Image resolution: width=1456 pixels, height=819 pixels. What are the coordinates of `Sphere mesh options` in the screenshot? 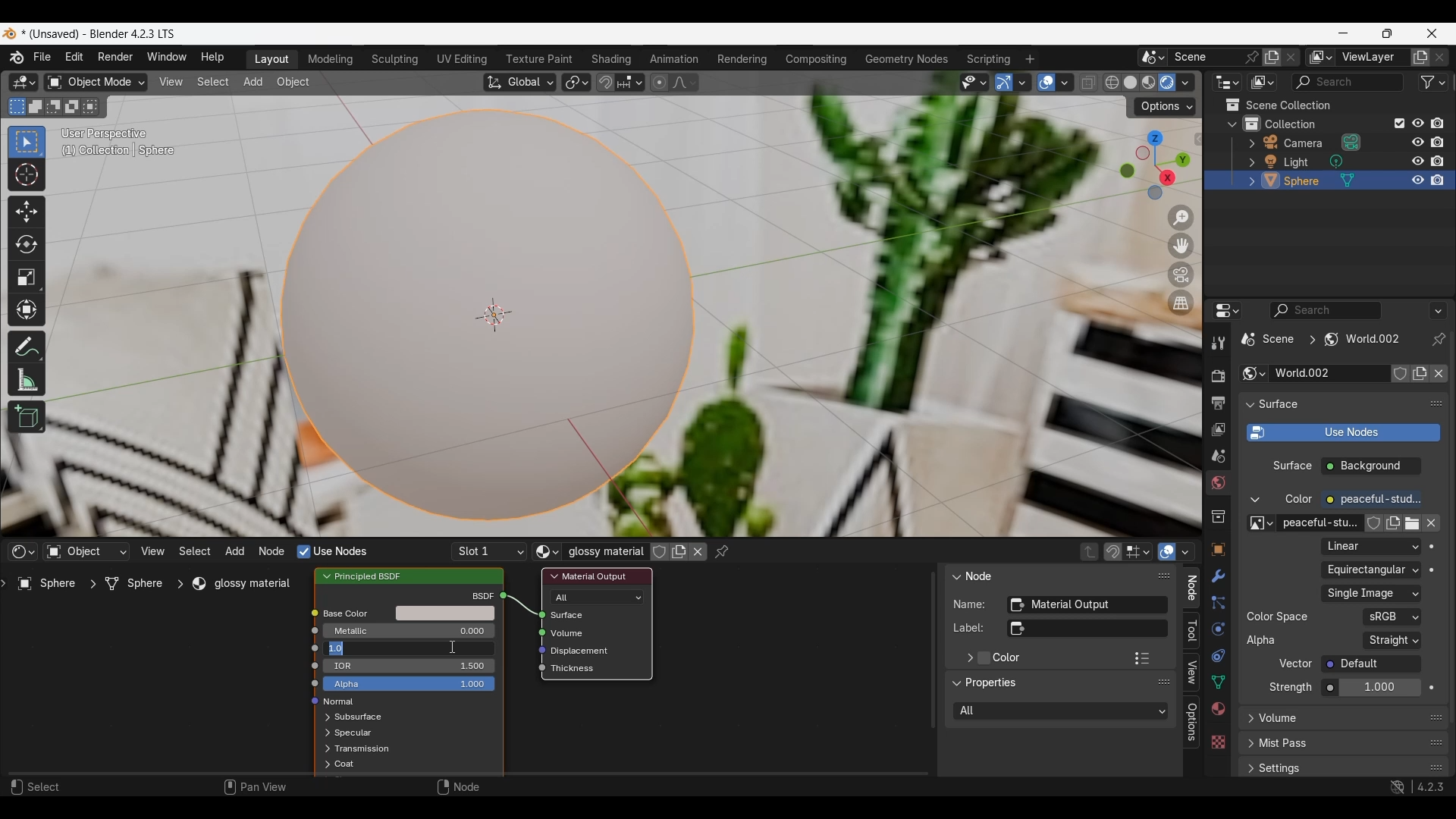 It's located at (1348, 180).